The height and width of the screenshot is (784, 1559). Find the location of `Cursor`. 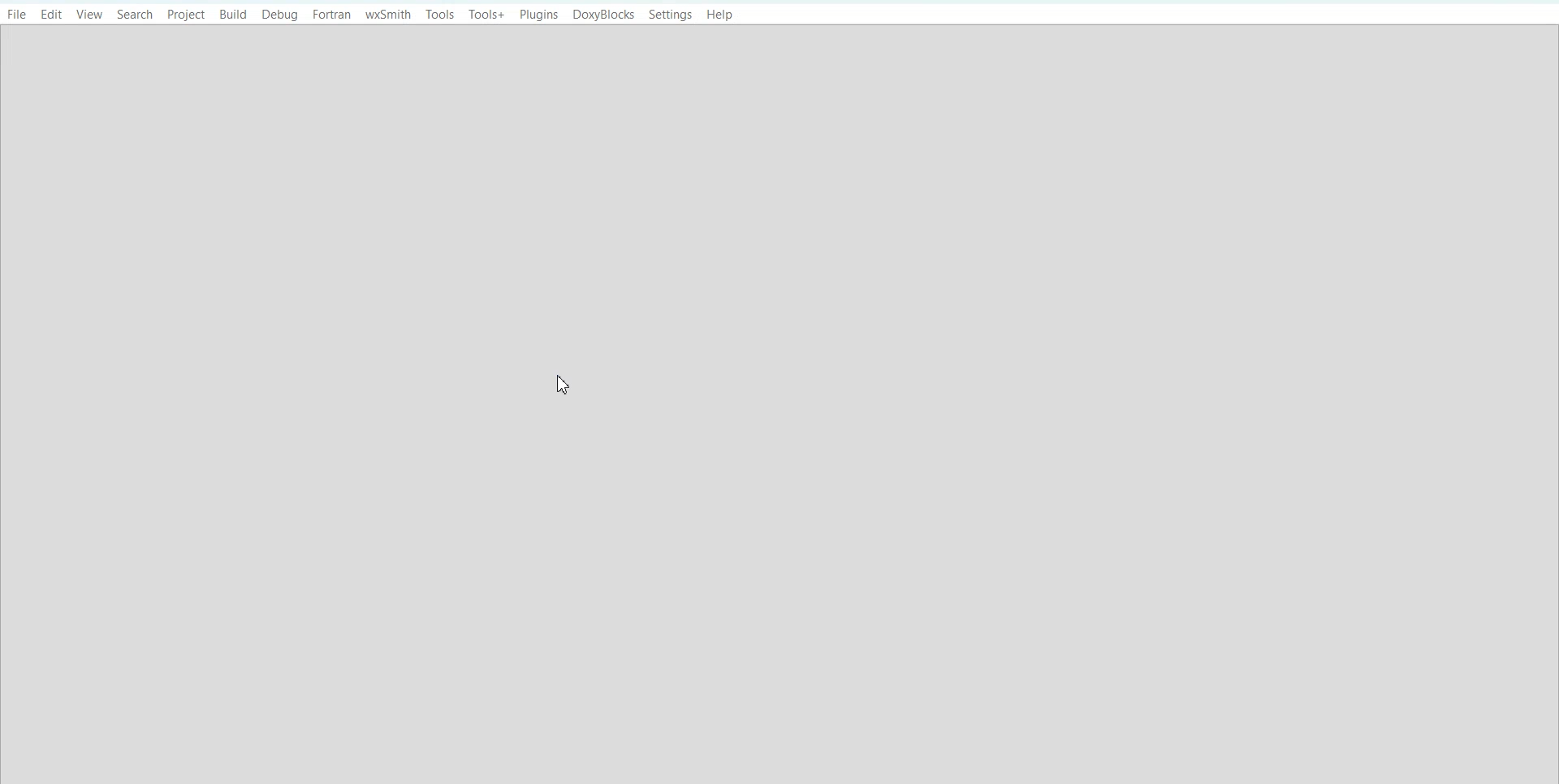

Cursor is located at coordinates (562, 385).